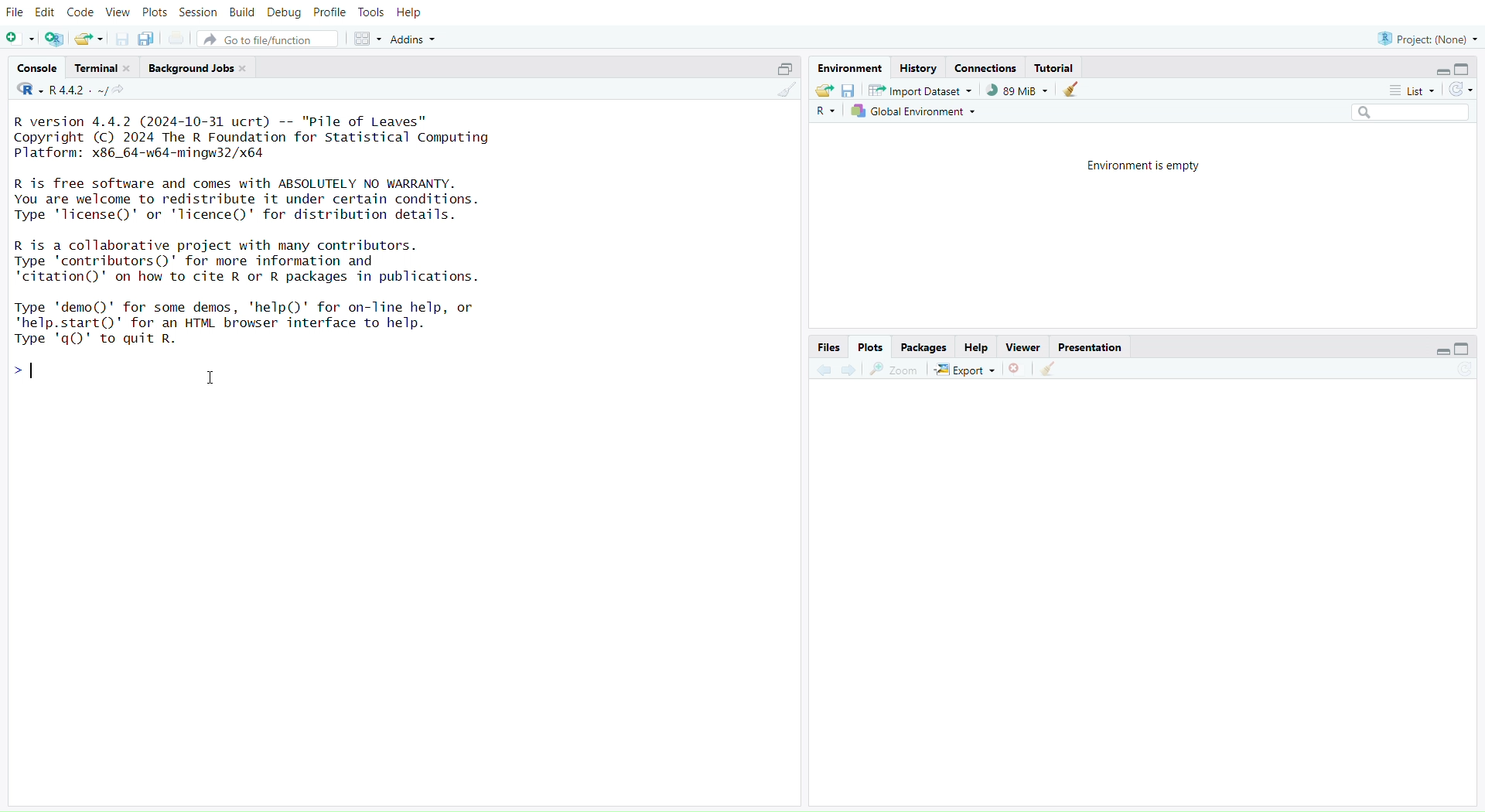 This screenshot has height=812, width=1485. Describe the element at coordinates (1053, 368) in the screenshot. I see `Clear console (Ctrl +L)` at that location.